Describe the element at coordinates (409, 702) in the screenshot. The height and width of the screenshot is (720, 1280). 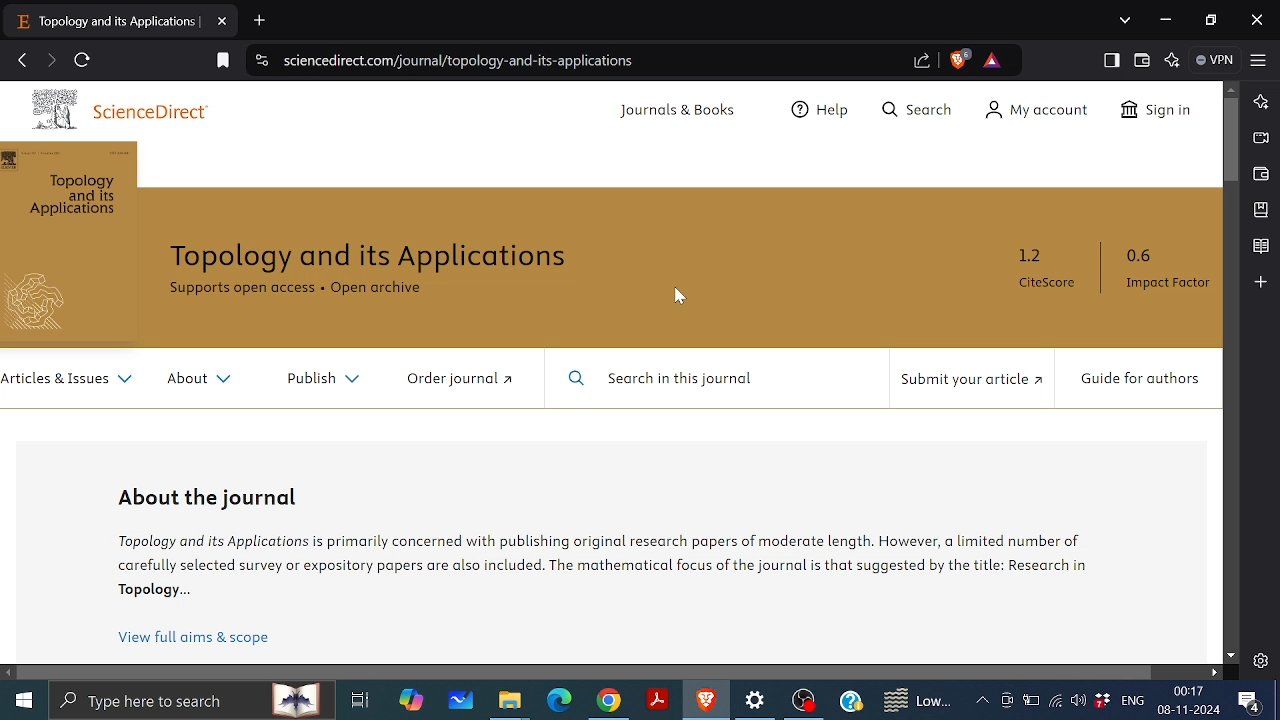
I see `Copilot` at that location.